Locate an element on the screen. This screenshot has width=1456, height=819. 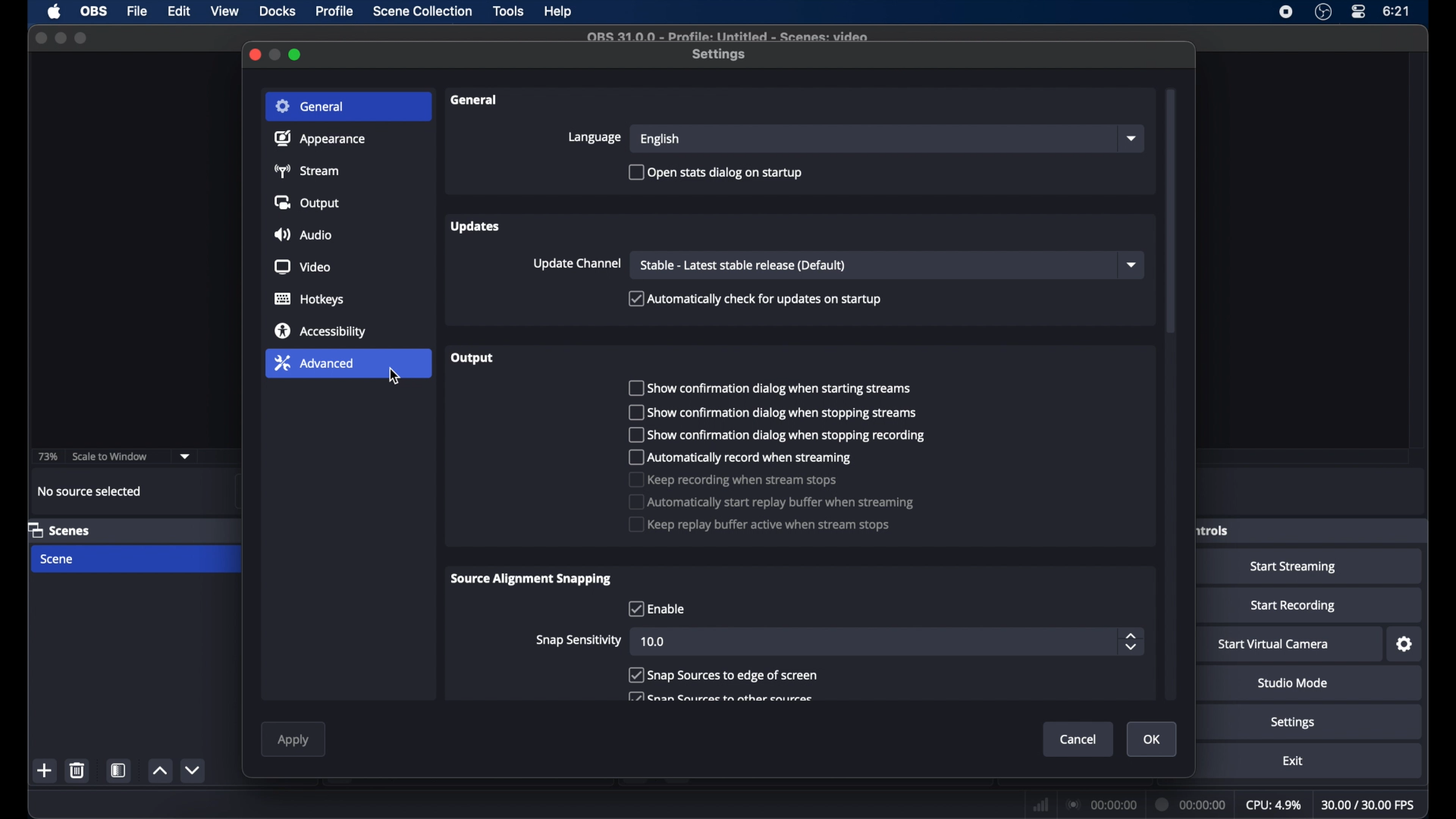
network is located at coordinates (1038, 804).